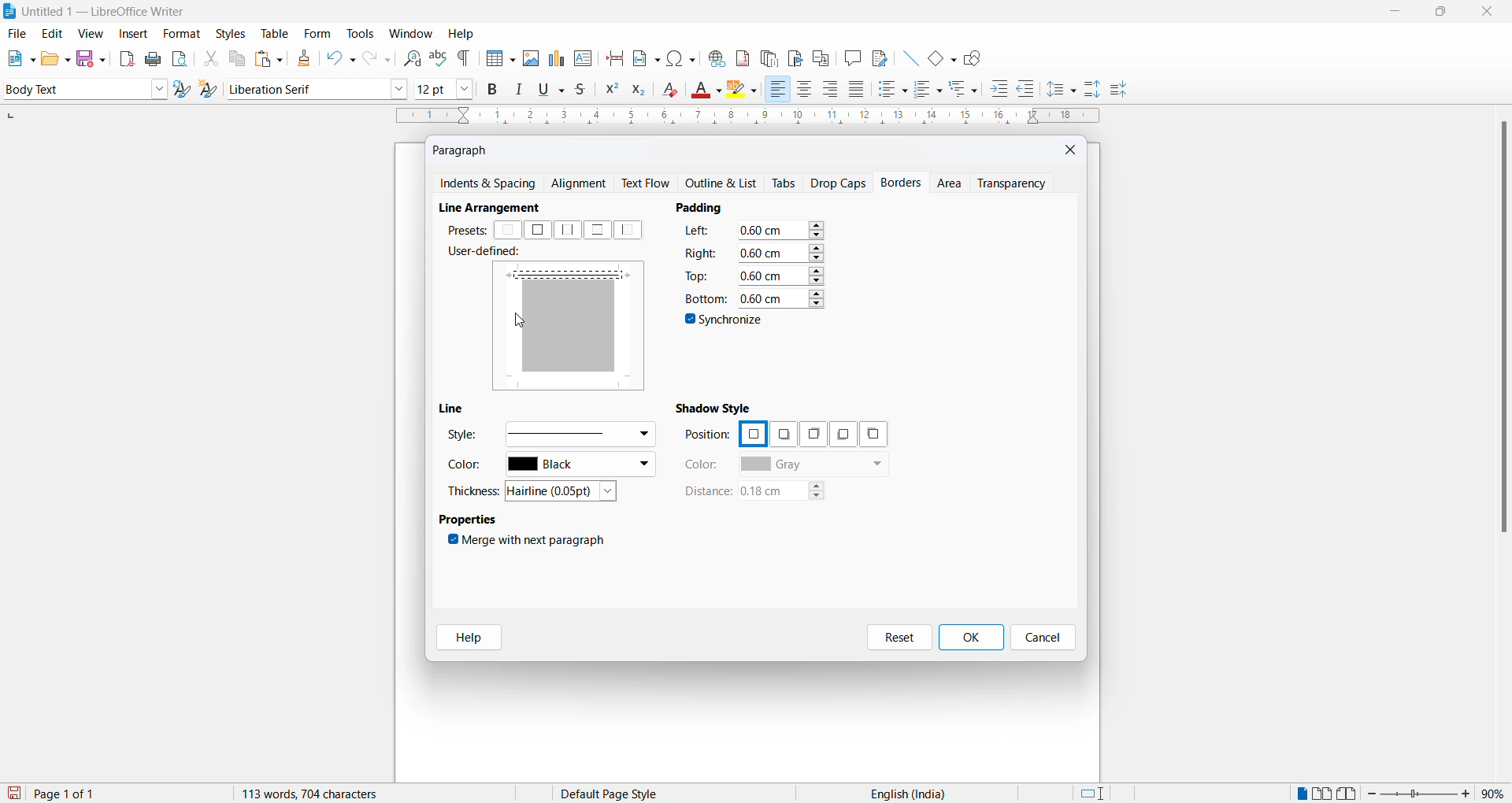 The height and width of the screenshot is (803, 1512). What do you see at coordinates (1117, 91) in the screenshot?
I see `decrease paragraph spacing` at bounding box center [1117, 91].